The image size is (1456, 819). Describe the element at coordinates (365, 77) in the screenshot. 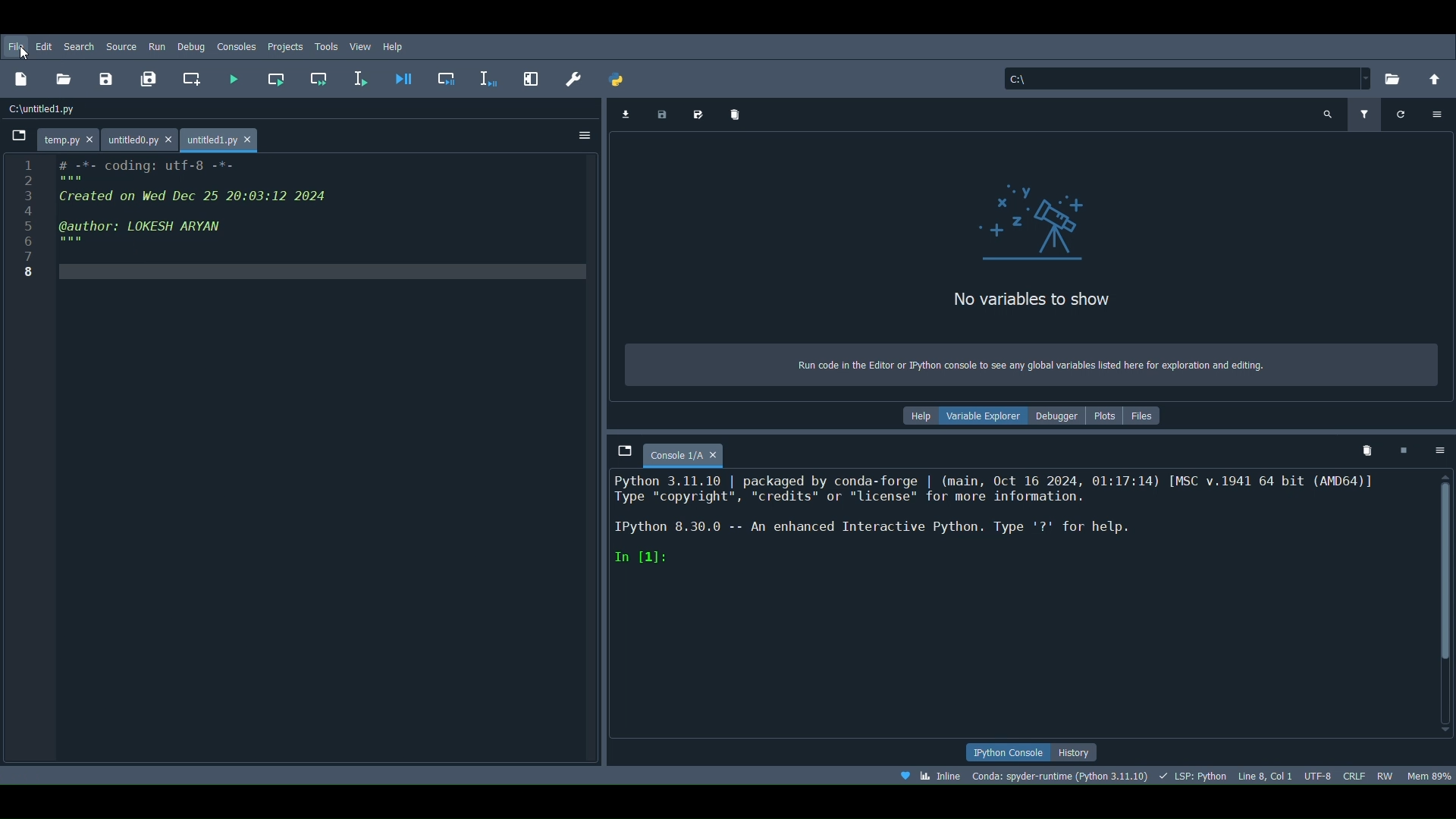

I see `Run selection or current line (F9)` at that location.